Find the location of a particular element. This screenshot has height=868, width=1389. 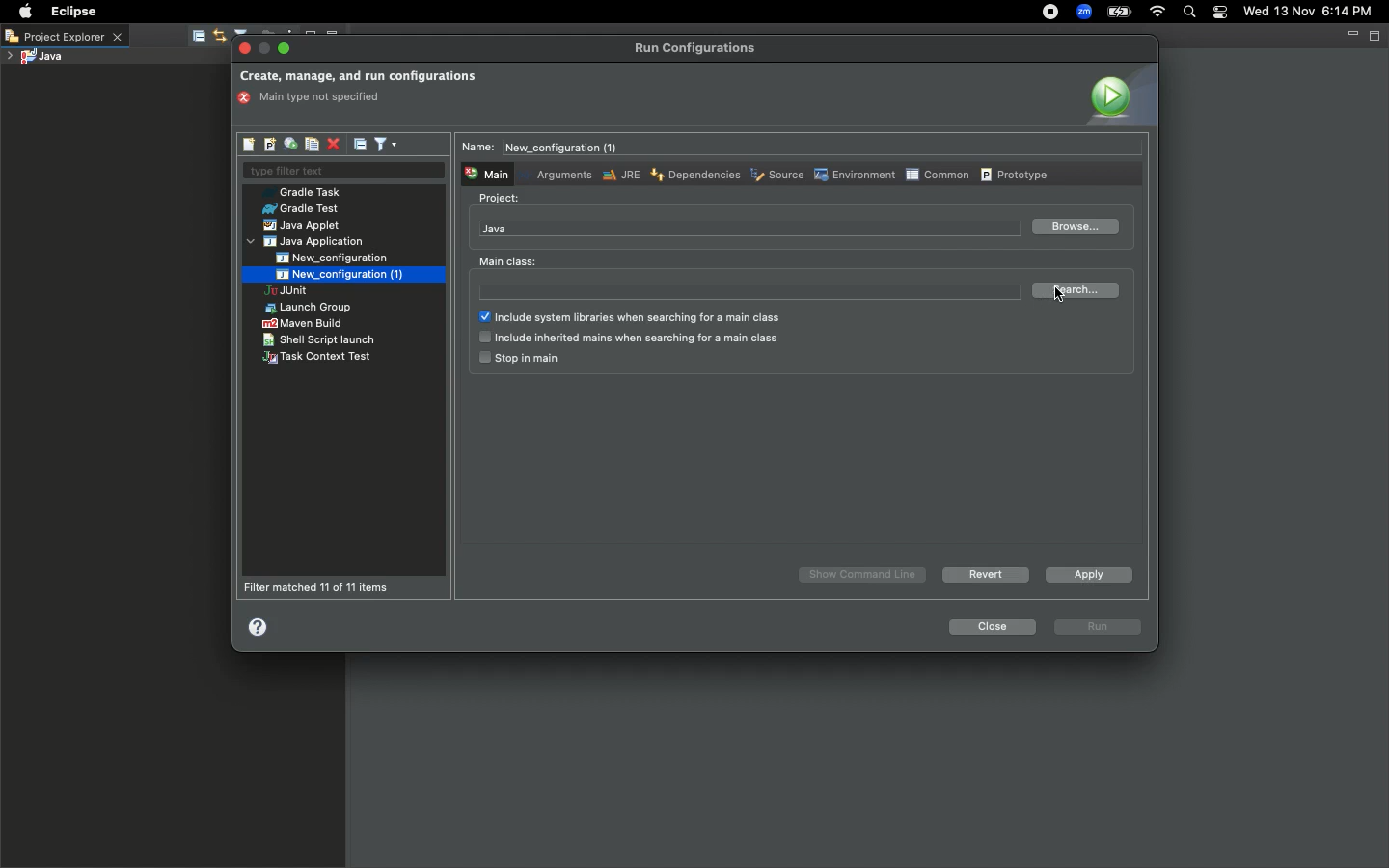

New_configuration is located at coordinates (344, 258).